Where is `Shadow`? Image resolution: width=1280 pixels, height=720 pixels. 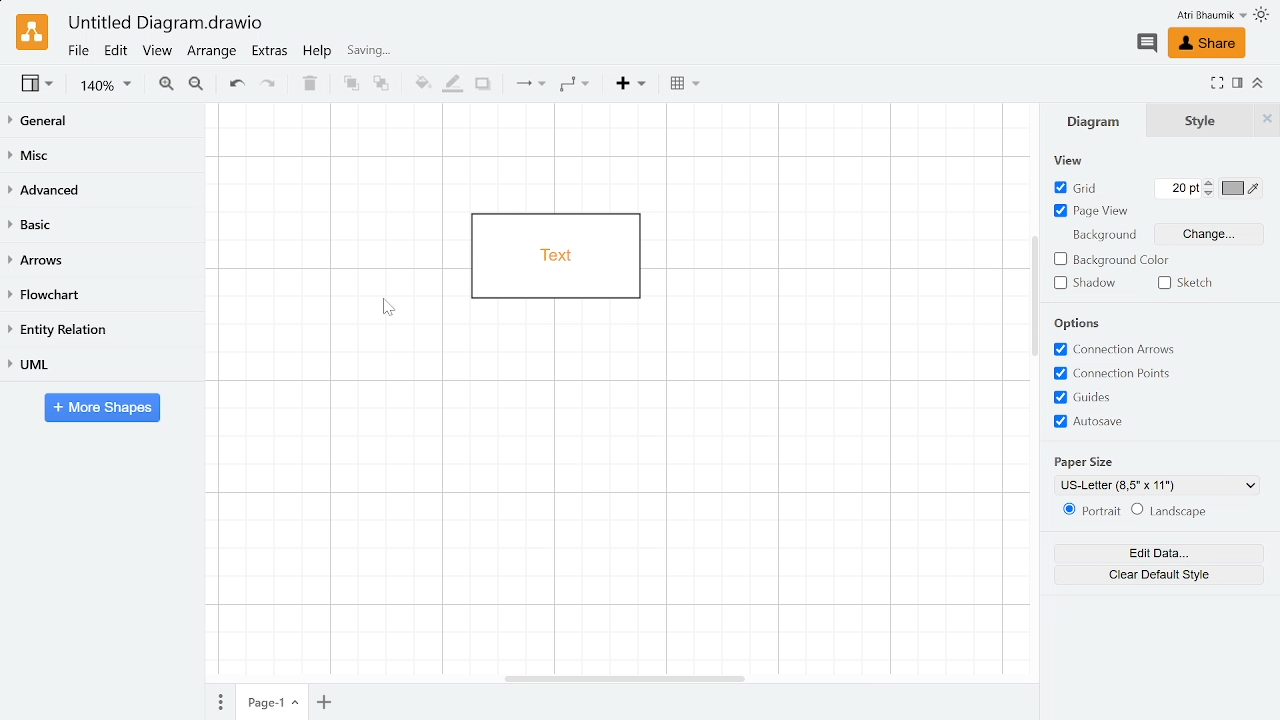 Shadow is located at coordinates (1086, 284).